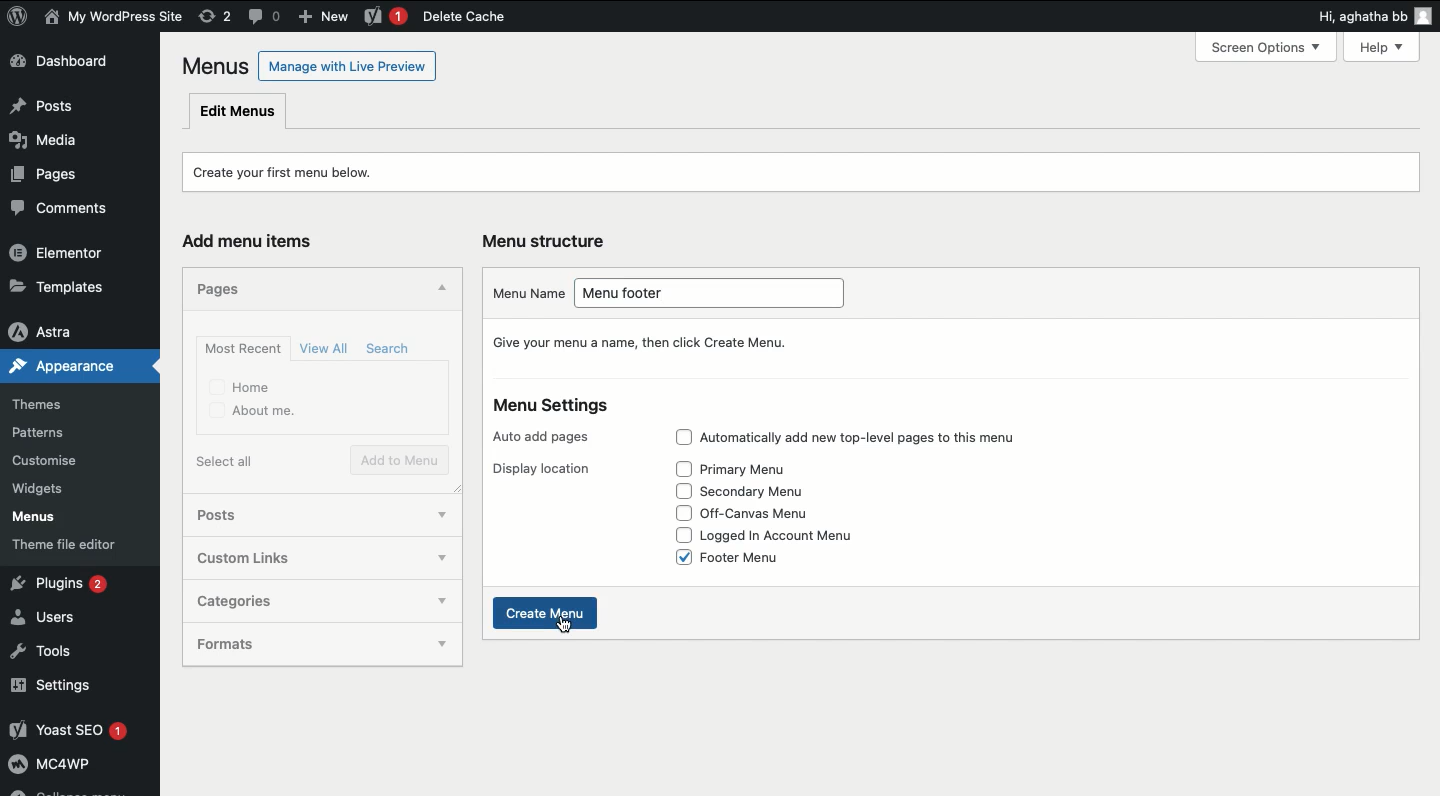 The height and width of the screenshot is (796, 1440). I want to click on WordPress Logo, so click(18, 16).